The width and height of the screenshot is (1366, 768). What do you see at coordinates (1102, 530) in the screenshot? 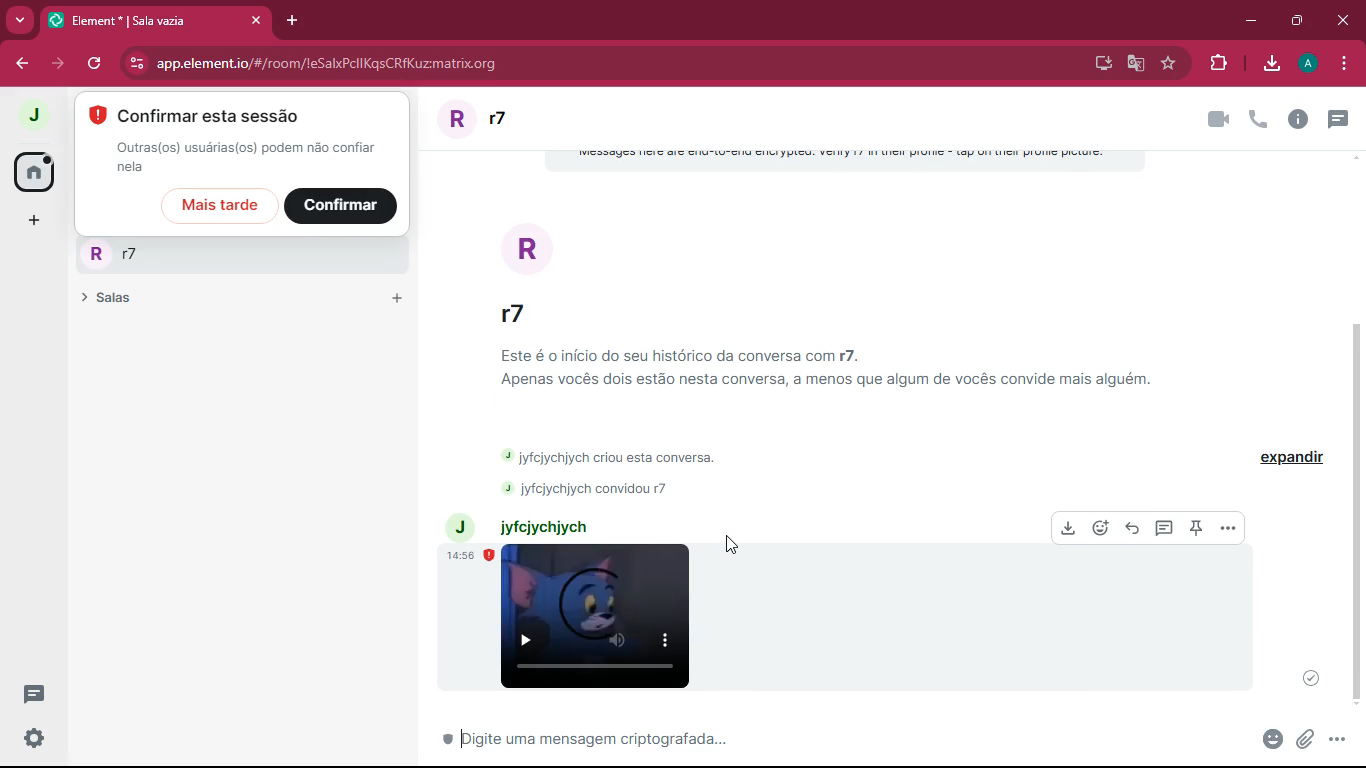
I see `react` at bounding box center [1102, 530].